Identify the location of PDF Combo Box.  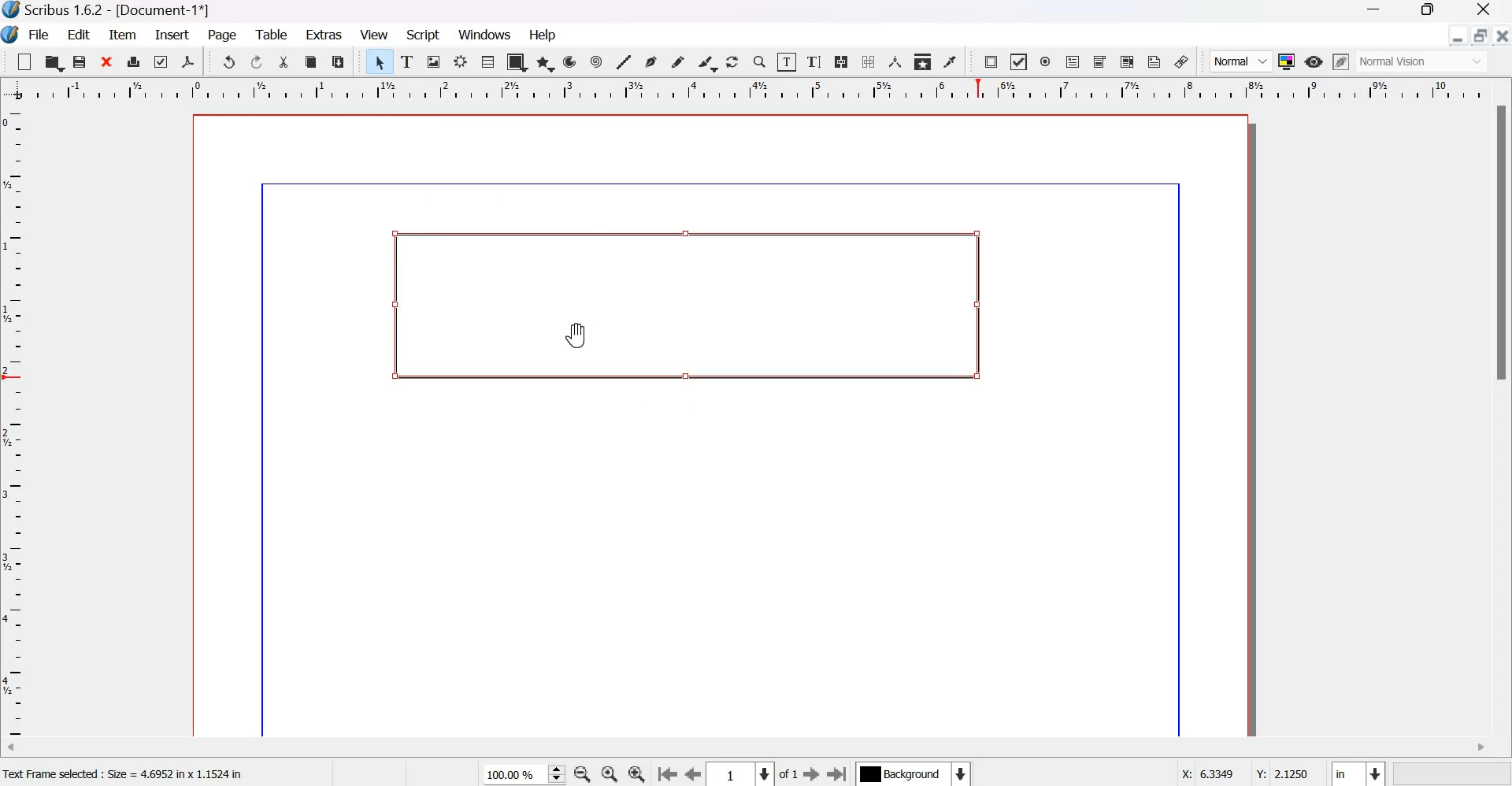
(1101, 62).